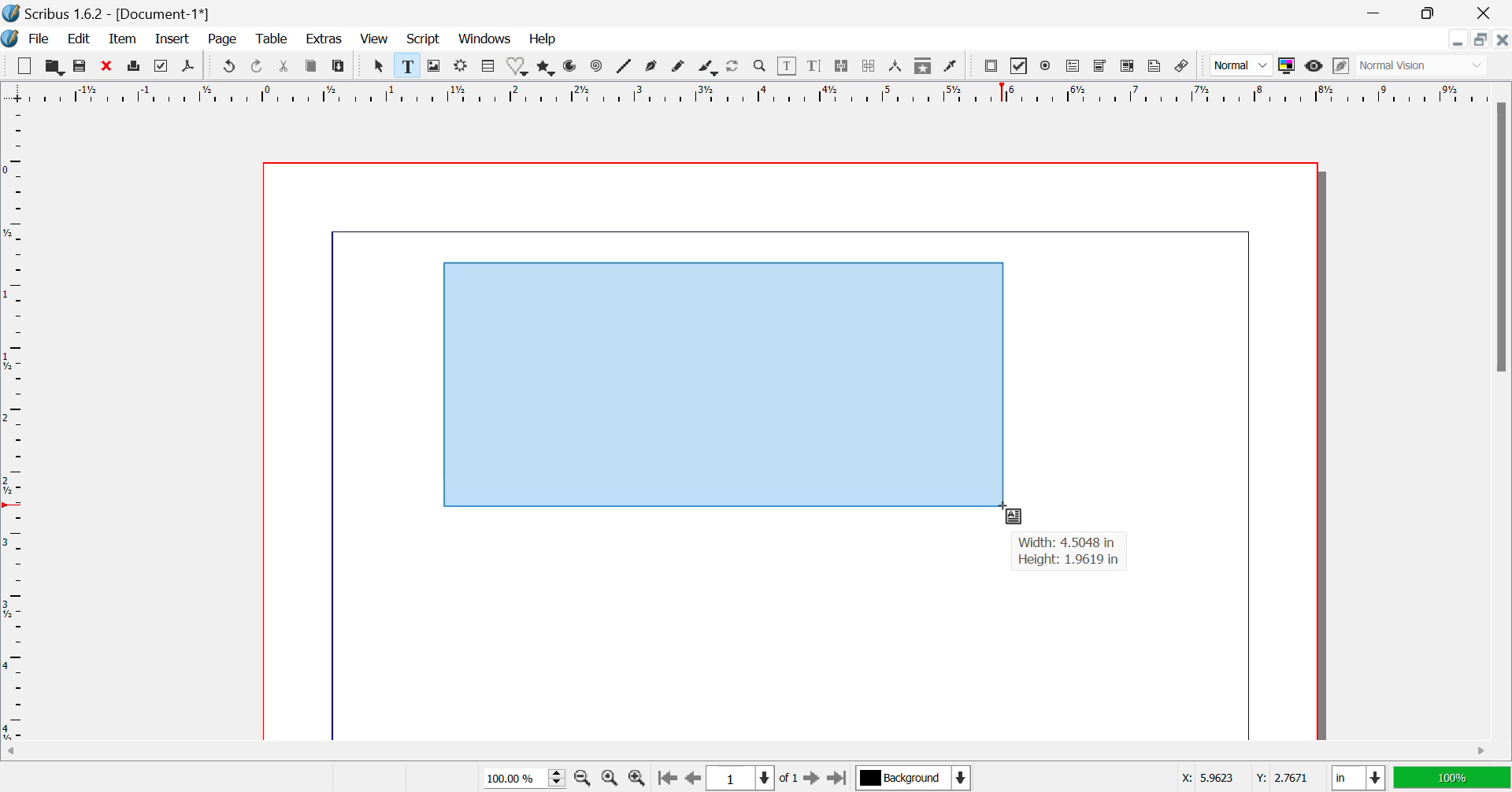 Image resolution: width=1512 pixels, height=792 pixels. I want to click on Edit in Preview Mode, so click(1341, 68).